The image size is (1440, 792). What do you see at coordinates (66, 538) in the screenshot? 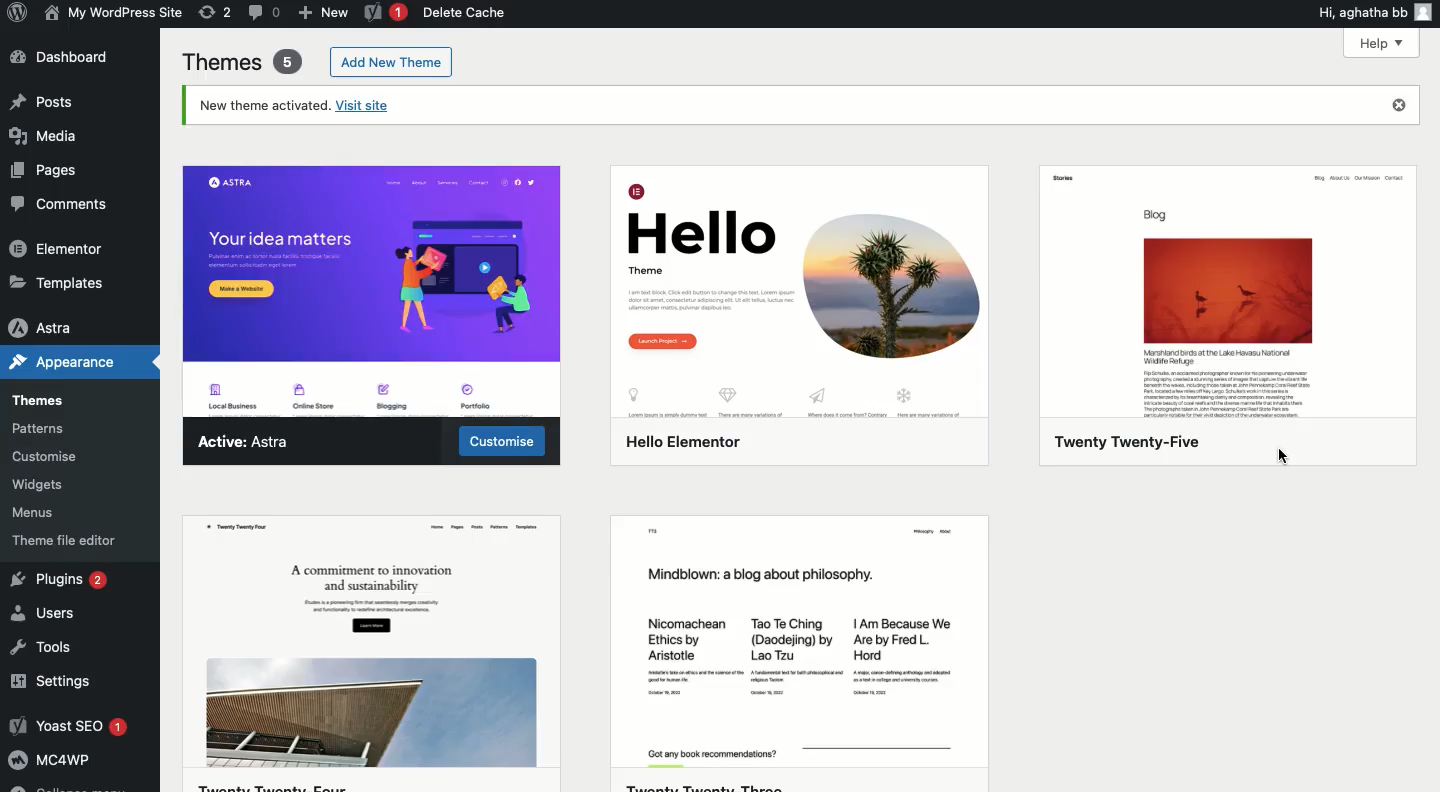
I see `Theme file editor` at bounding box center [66, 538].